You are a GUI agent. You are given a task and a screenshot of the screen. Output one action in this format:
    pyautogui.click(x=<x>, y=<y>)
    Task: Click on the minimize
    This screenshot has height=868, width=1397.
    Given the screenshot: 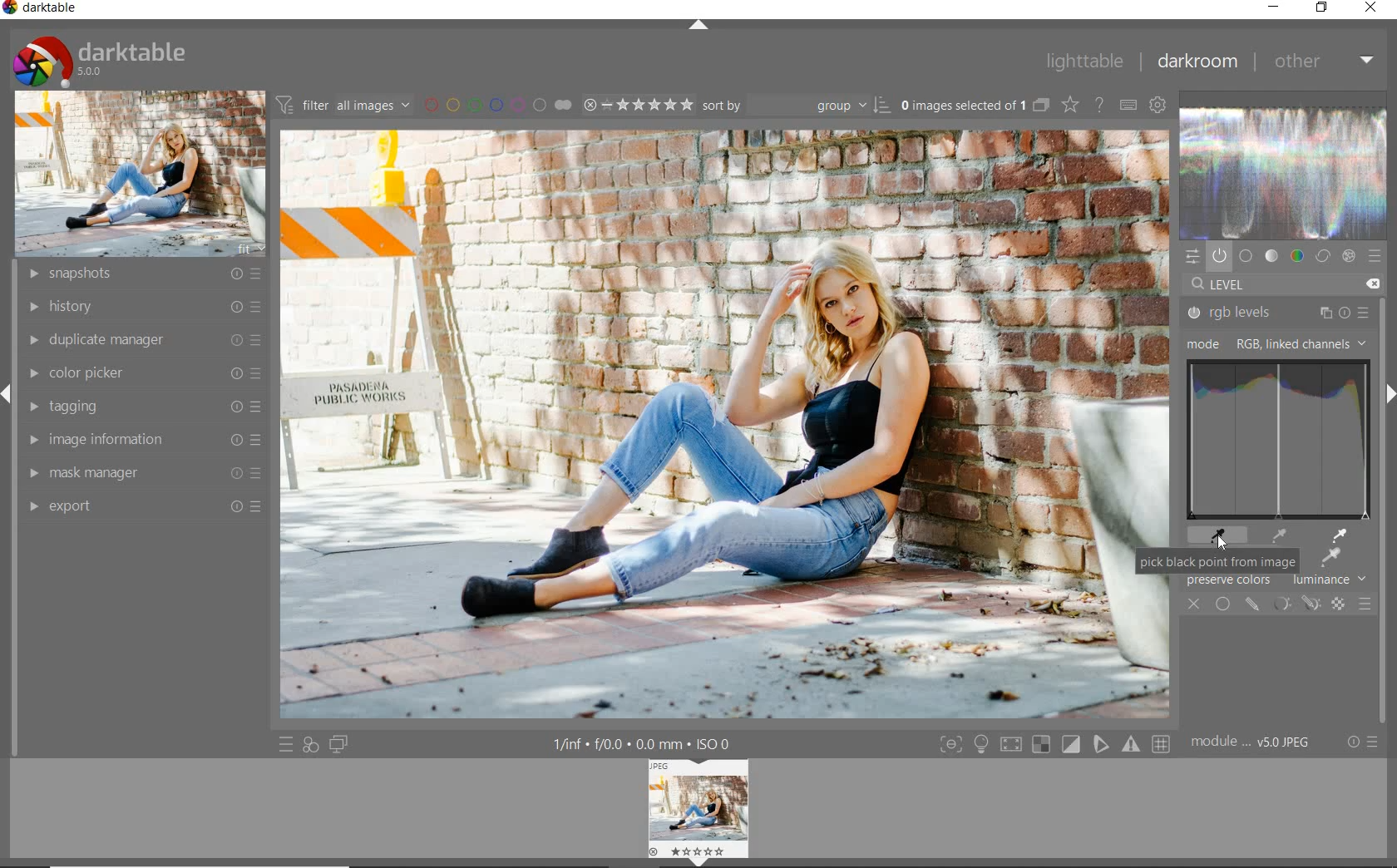 What is the action you would take?
    pyautogui.click(x=1274, y=8)
    